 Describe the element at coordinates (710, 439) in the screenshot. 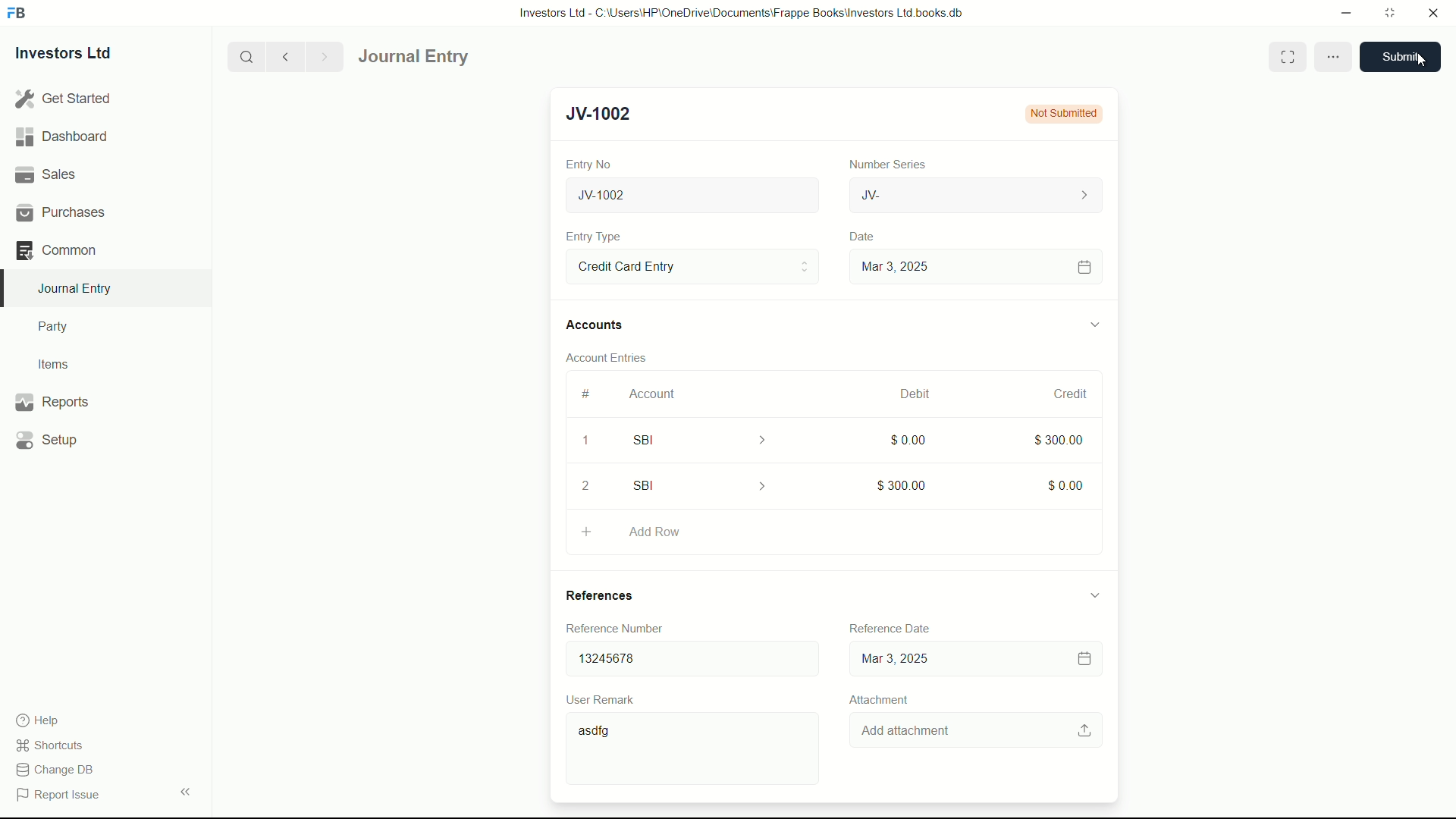

I see `SBI` at that location.